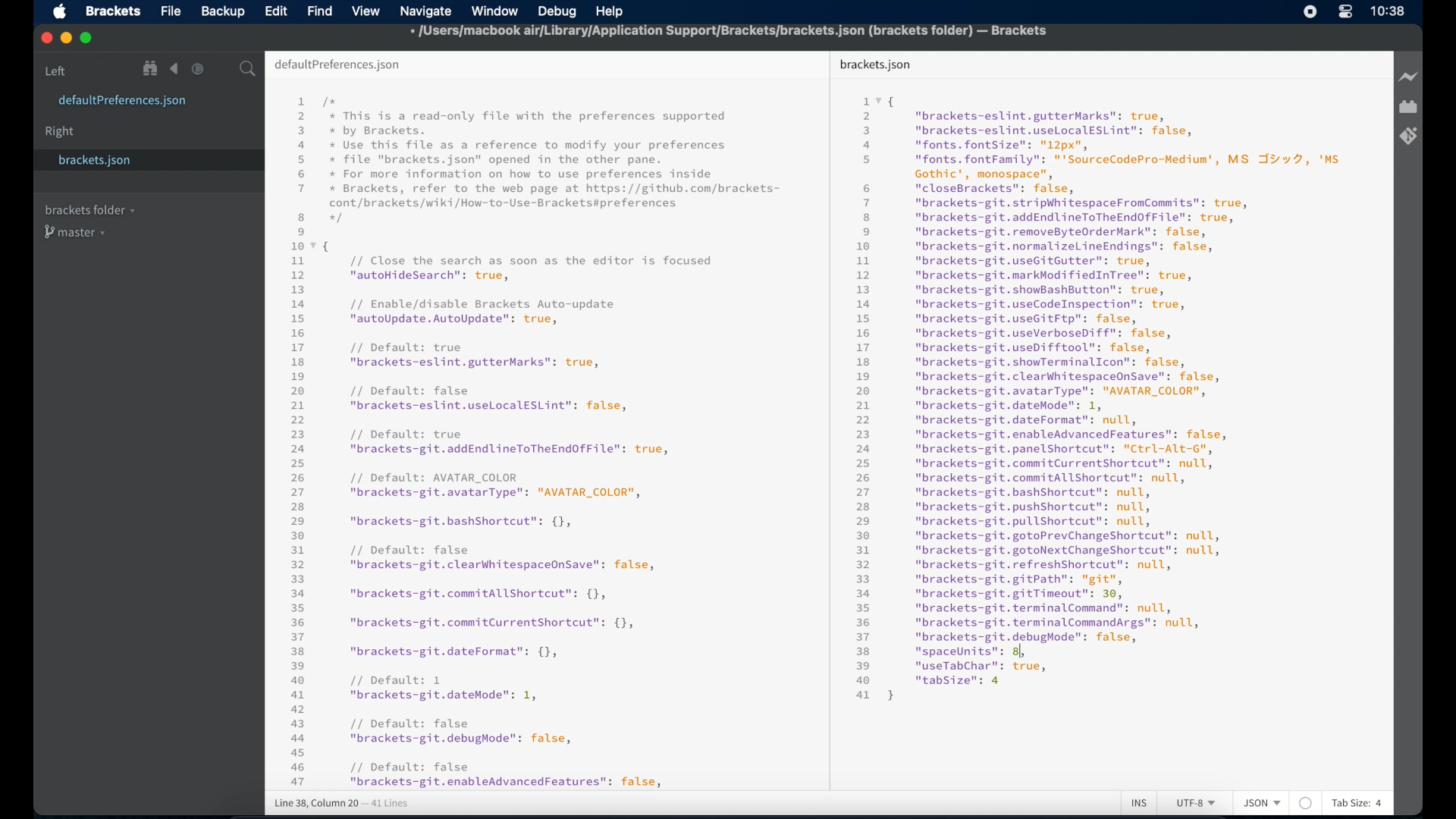 The height and width of the screenshot is (819, 1456). Describe the element at coordinates (60, 132) in the screenshot. I see `right` at that location.